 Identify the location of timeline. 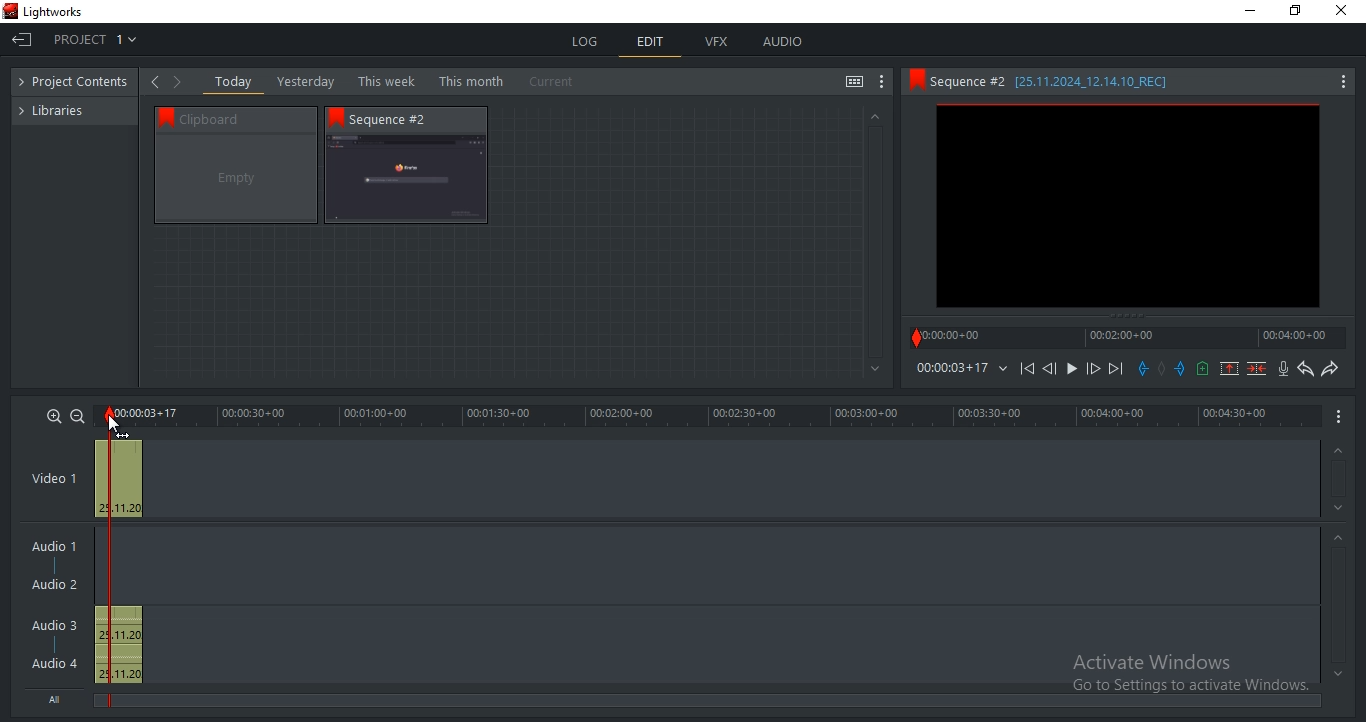
(951, 368).